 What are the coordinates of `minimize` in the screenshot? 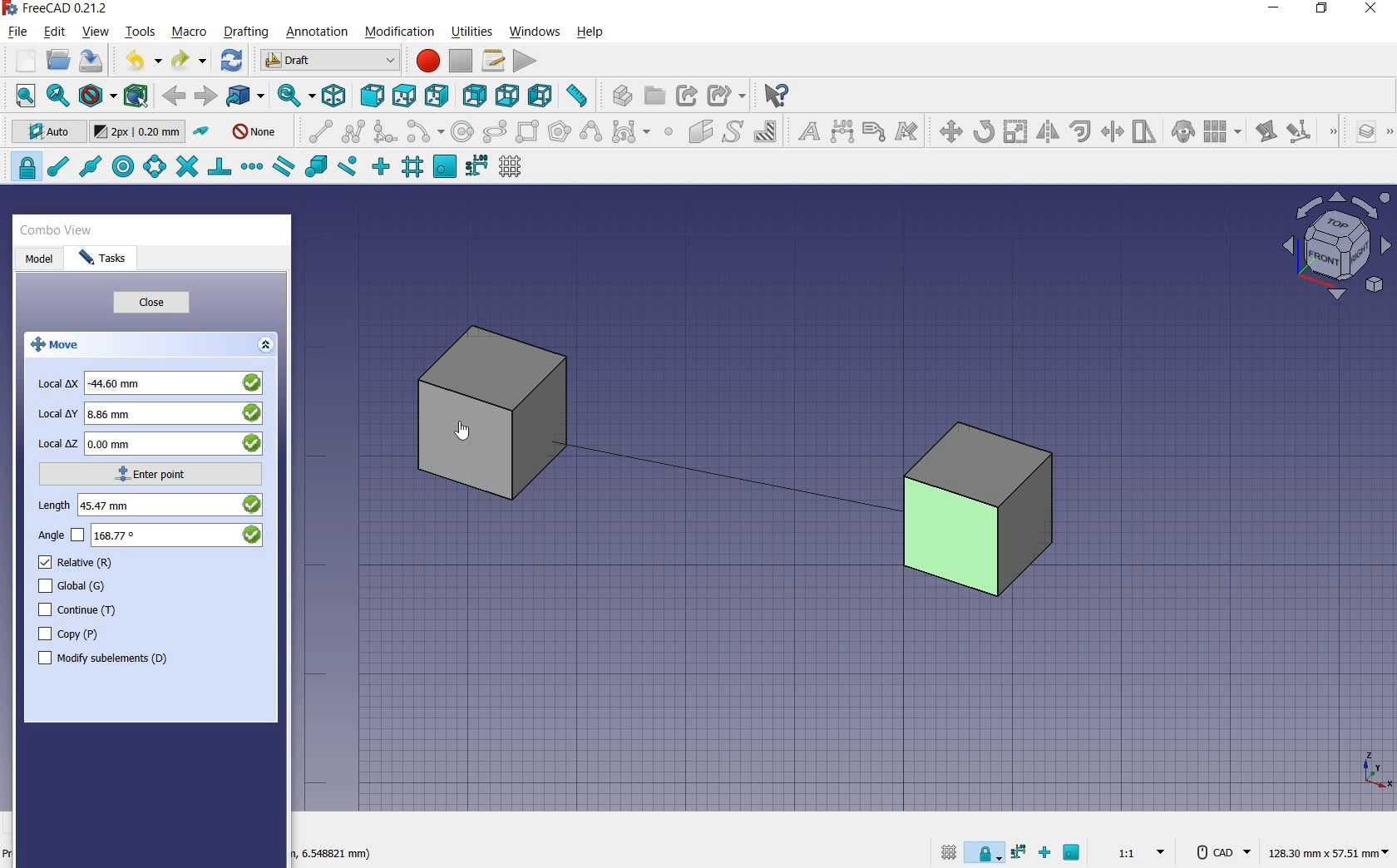 It's located at (1275, 10).